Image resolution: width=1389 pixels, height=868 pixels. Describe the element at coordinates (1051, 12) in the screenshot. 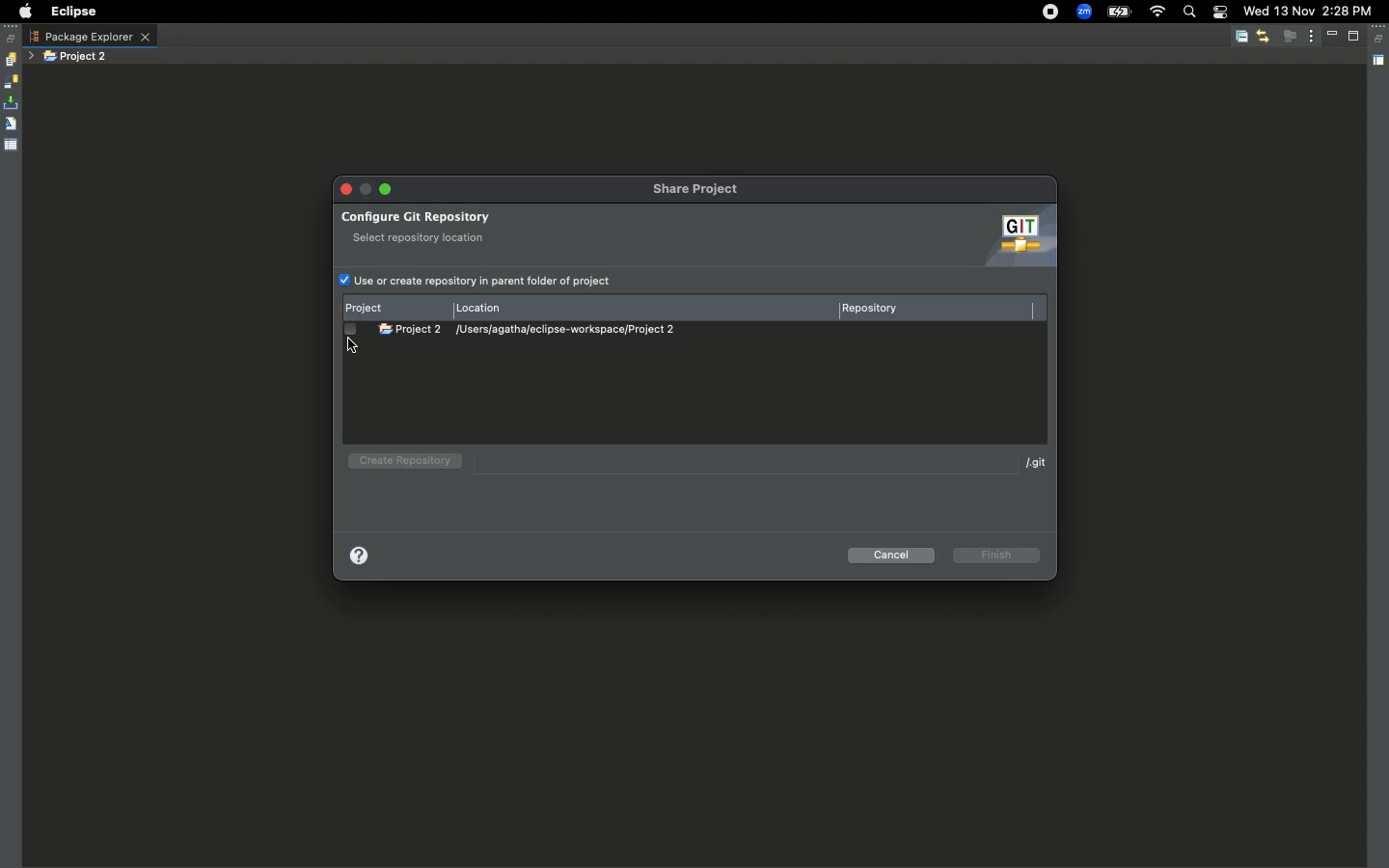

I see `Recording` at that location.